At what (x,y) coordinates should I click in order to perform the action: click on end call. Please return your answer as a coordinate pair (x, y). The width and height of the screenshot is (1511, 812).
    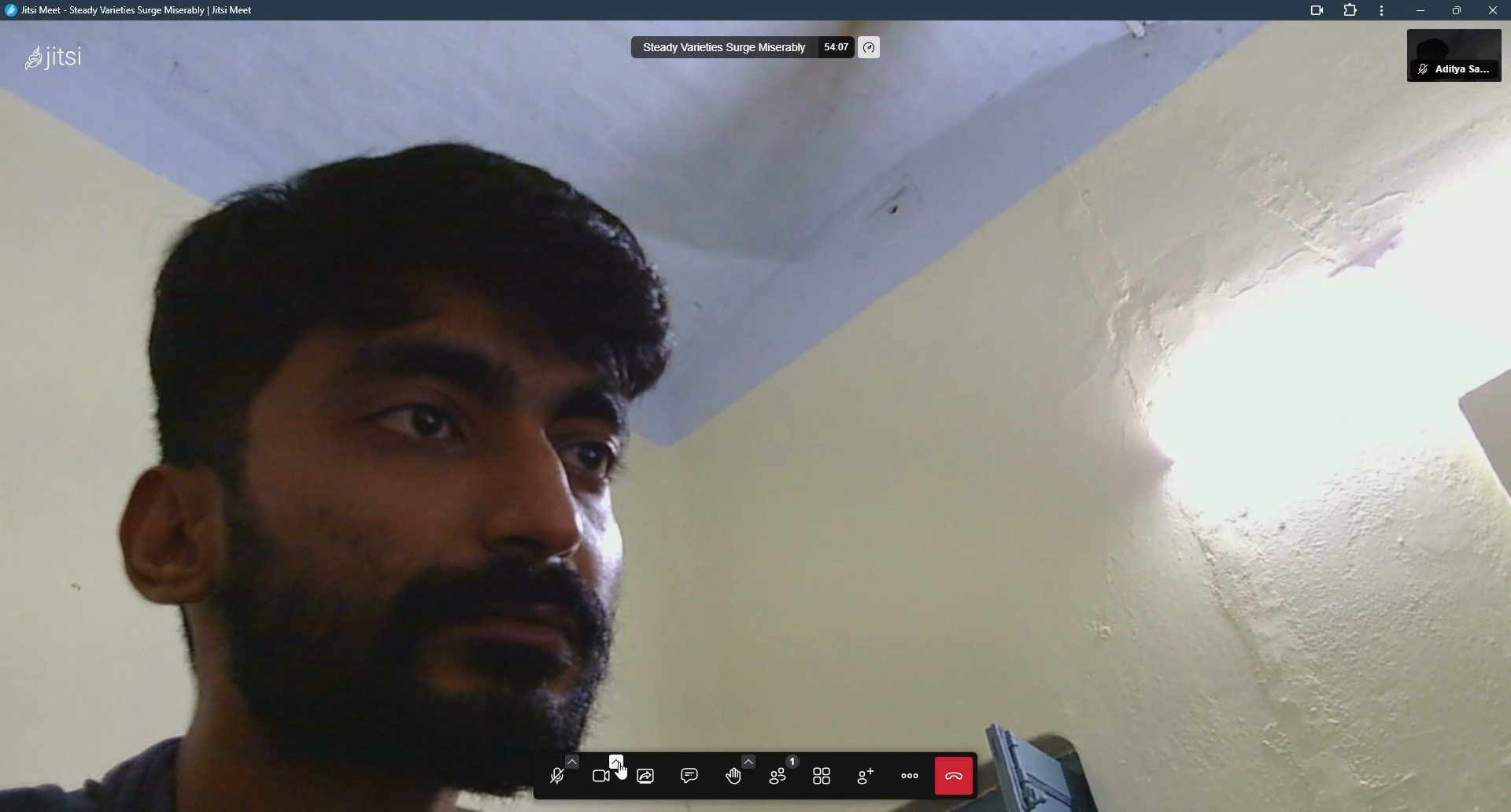
    Looking at the image, I should click on (951, 776).